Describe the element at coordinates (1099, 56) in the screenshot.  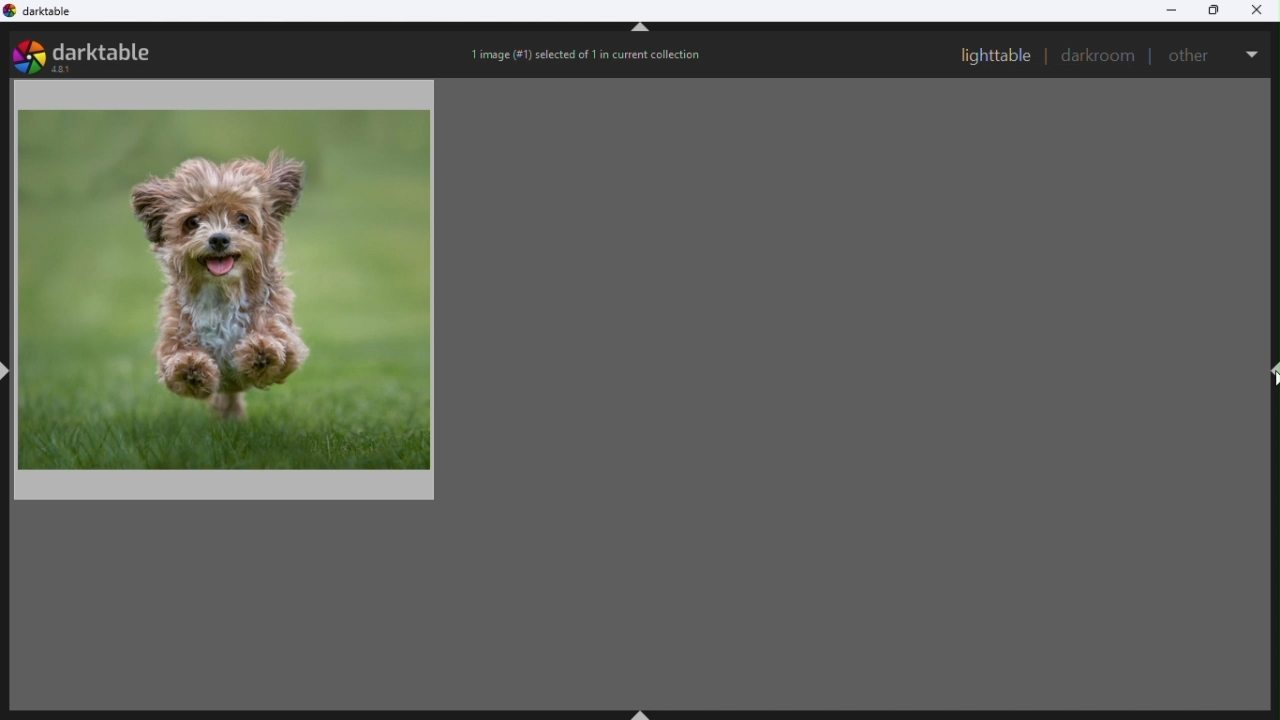
I see `Dark room` at that location.